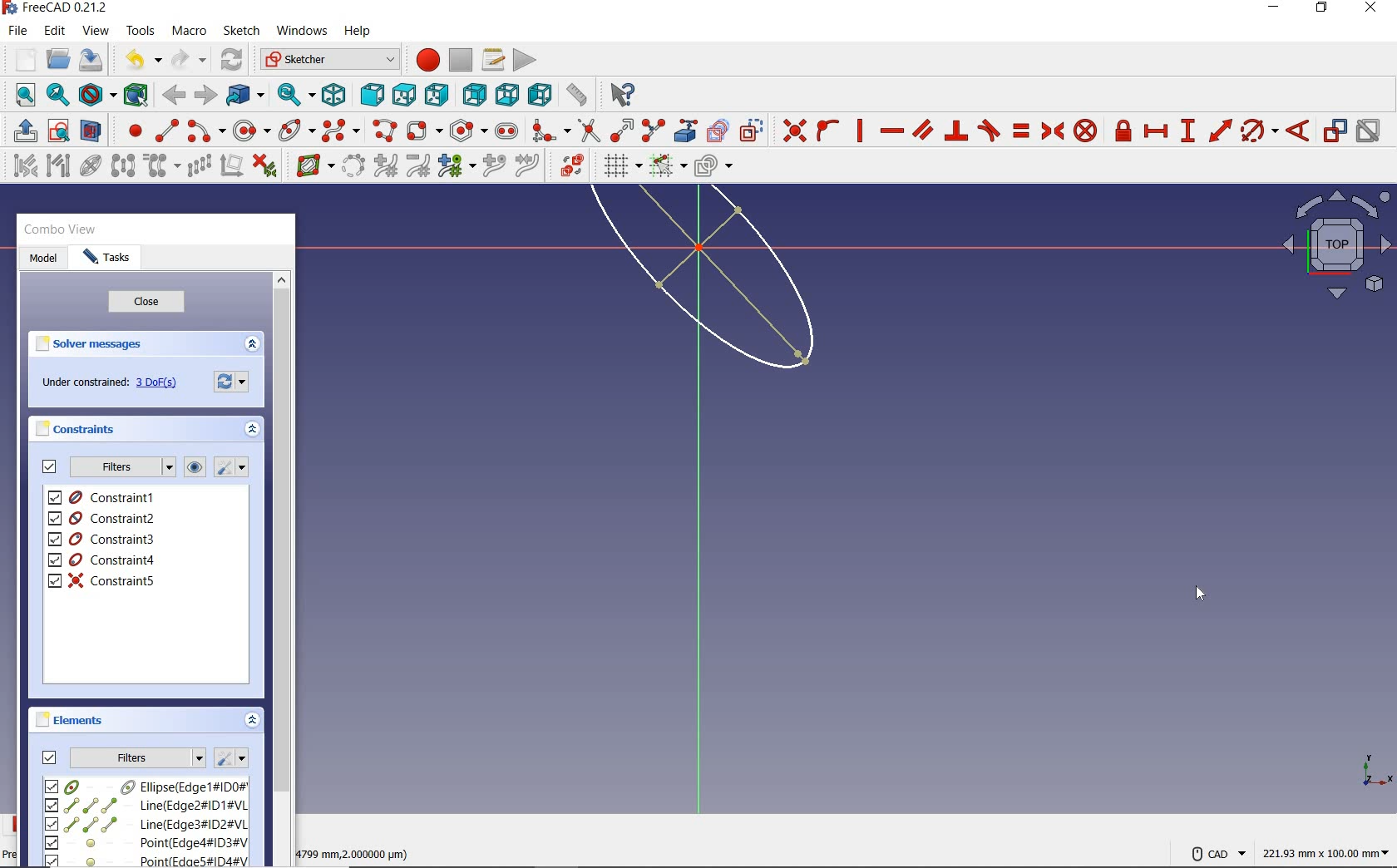 The image size is (1397, 868). Describe the element at coordinates (297, 95) in the screenshot. I see `sync view` at that location.